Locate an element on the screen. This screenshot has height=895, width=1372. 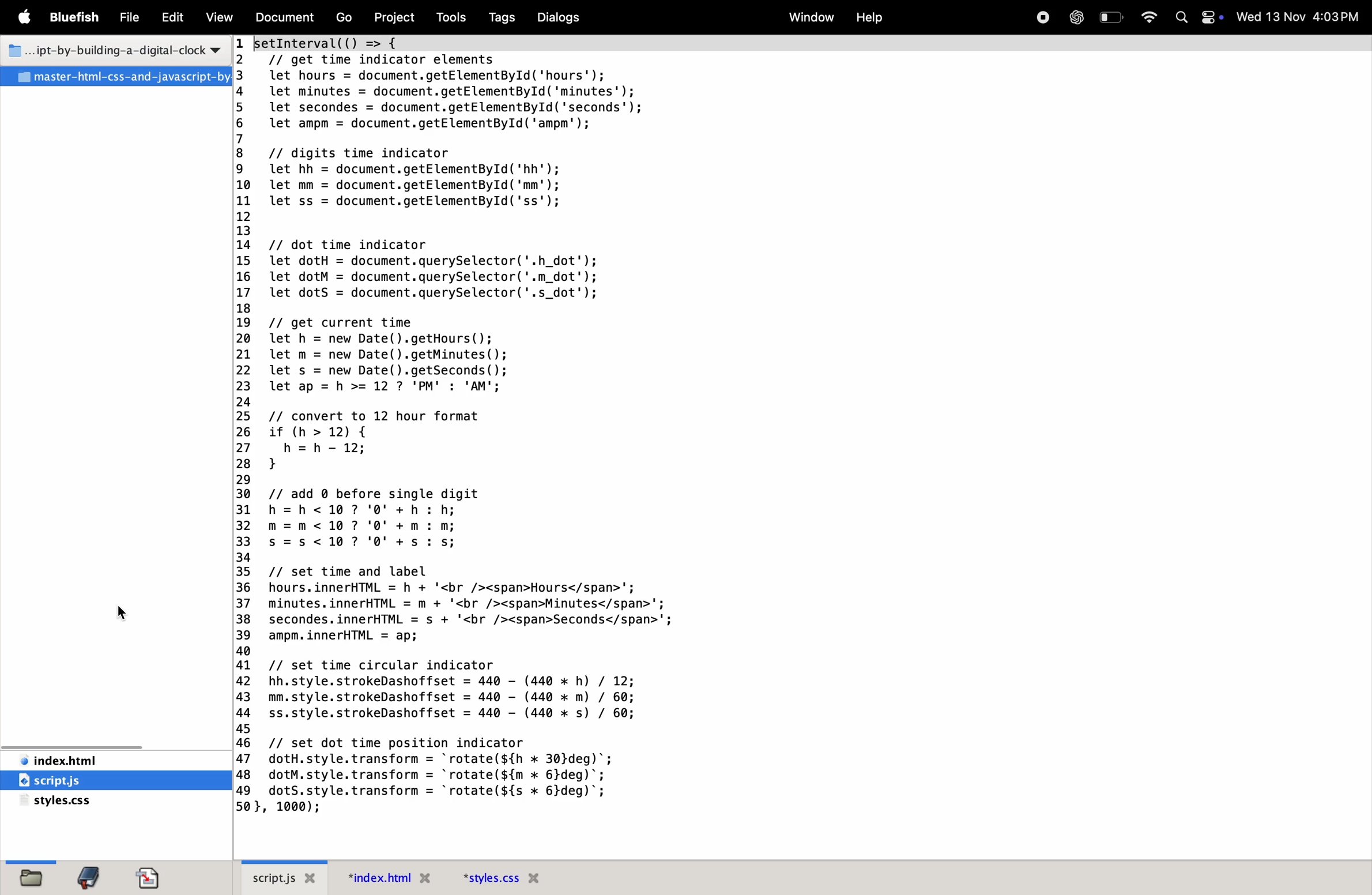
wifi is located at coordinates (1150, 16).